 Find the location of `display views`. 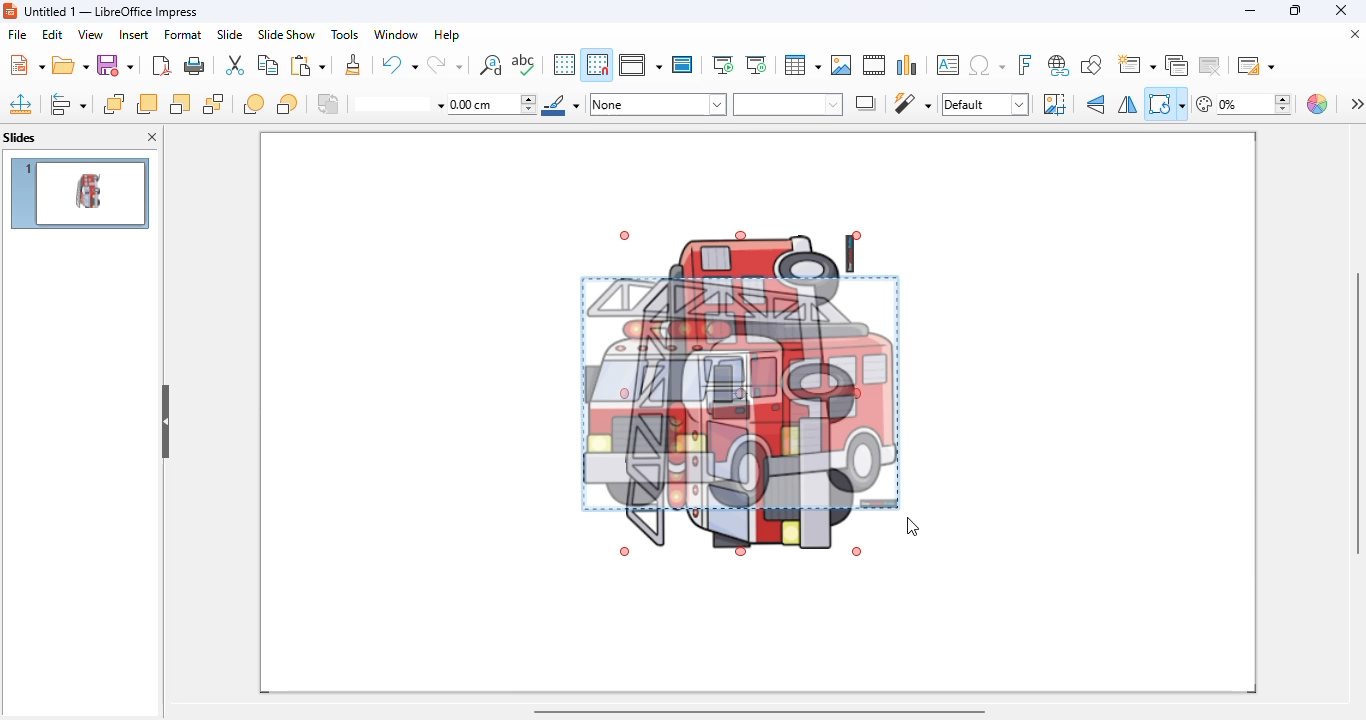

display views is located at coordinates (641, 64).